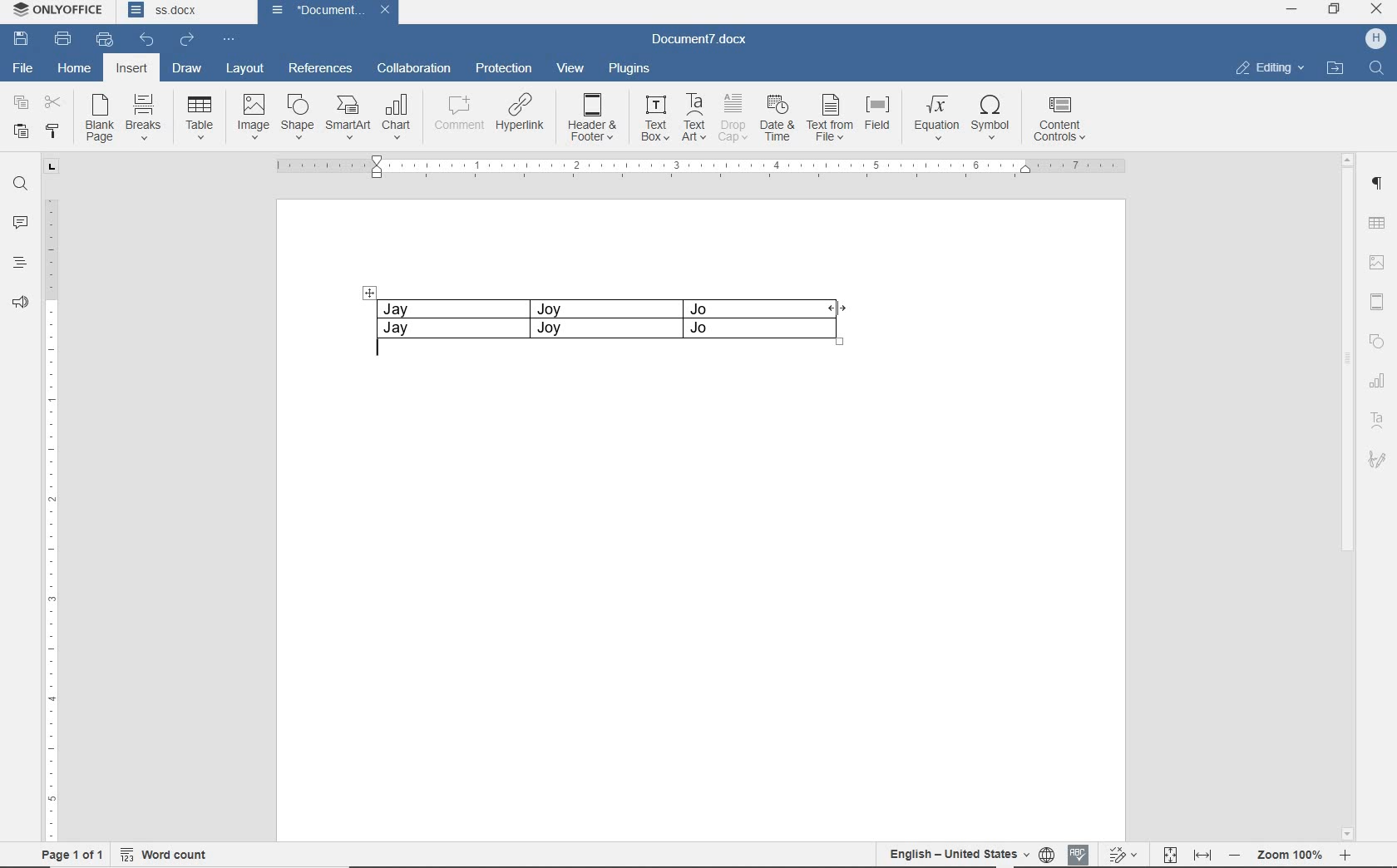 The image size is (1397, 868). I want to click on MINIMIZE, so click(1291, 9).